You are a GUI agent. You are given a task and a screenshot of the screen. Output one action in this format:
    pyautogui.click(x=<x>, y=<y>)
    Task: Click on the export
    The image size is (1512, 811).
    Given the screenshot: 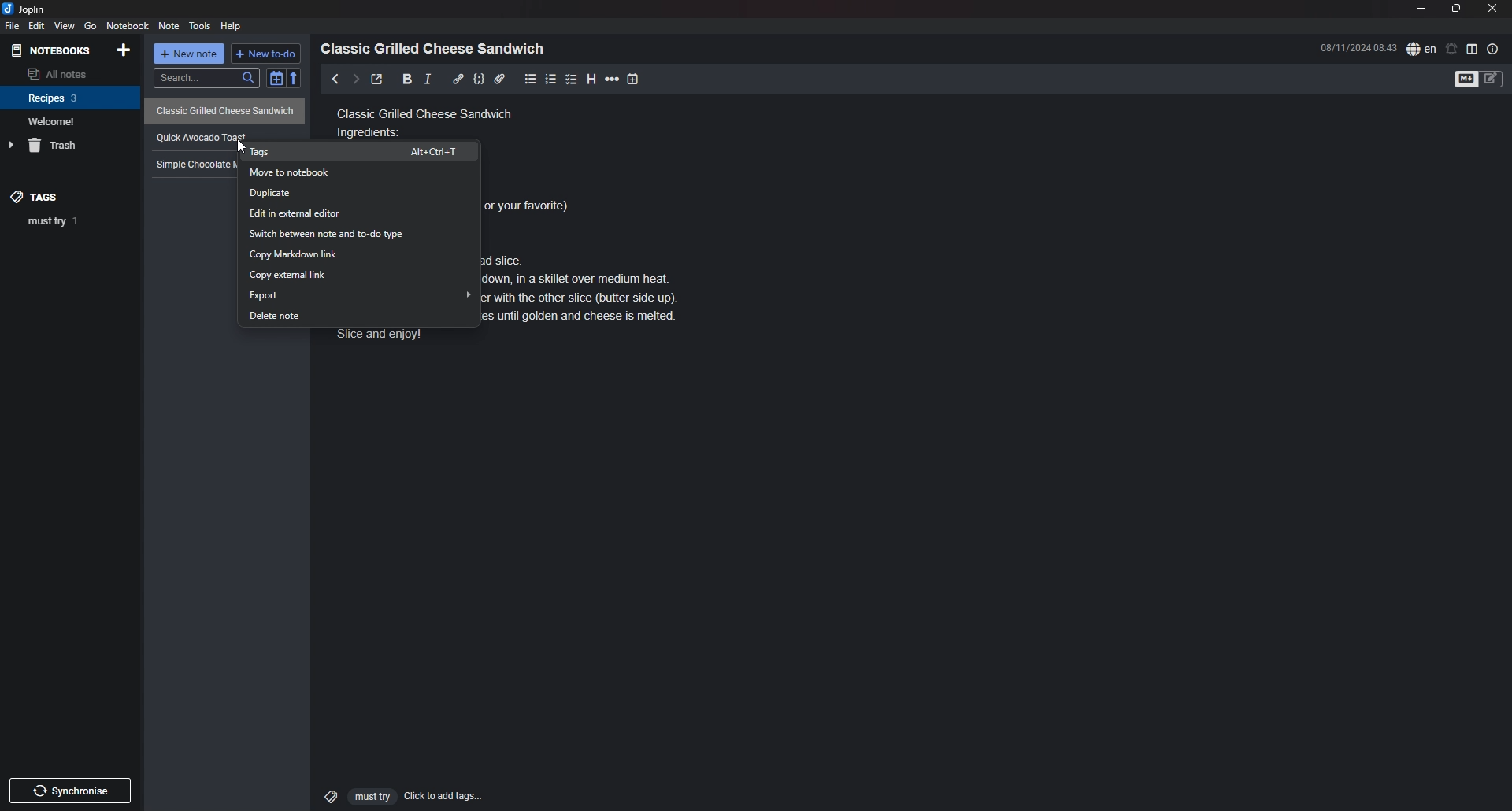 What is the action you would take?
    pyautogui.click(x=359, y=295)
    